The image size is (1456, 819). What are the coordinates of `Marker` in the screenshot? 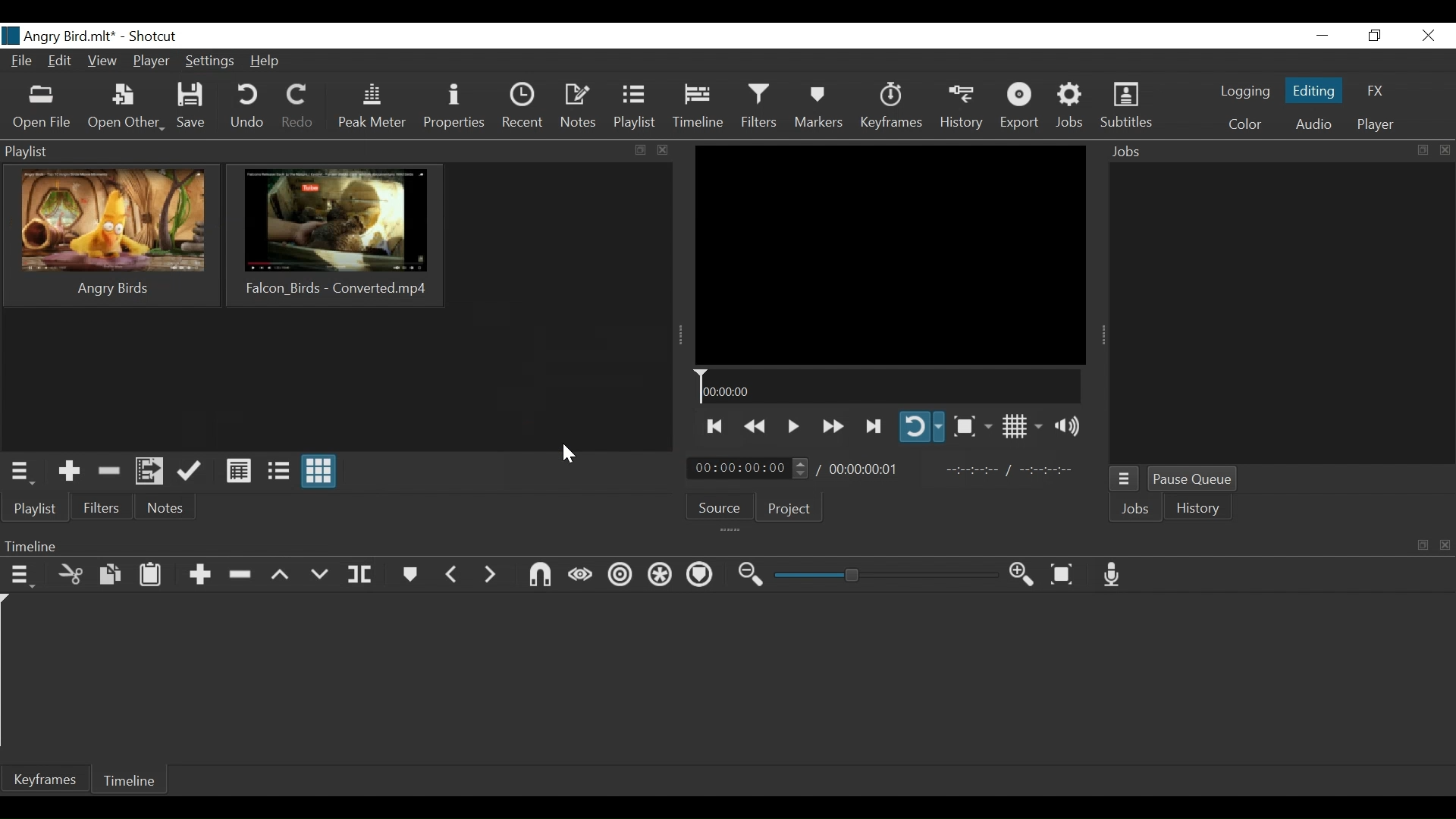 It's located at (409, 577).